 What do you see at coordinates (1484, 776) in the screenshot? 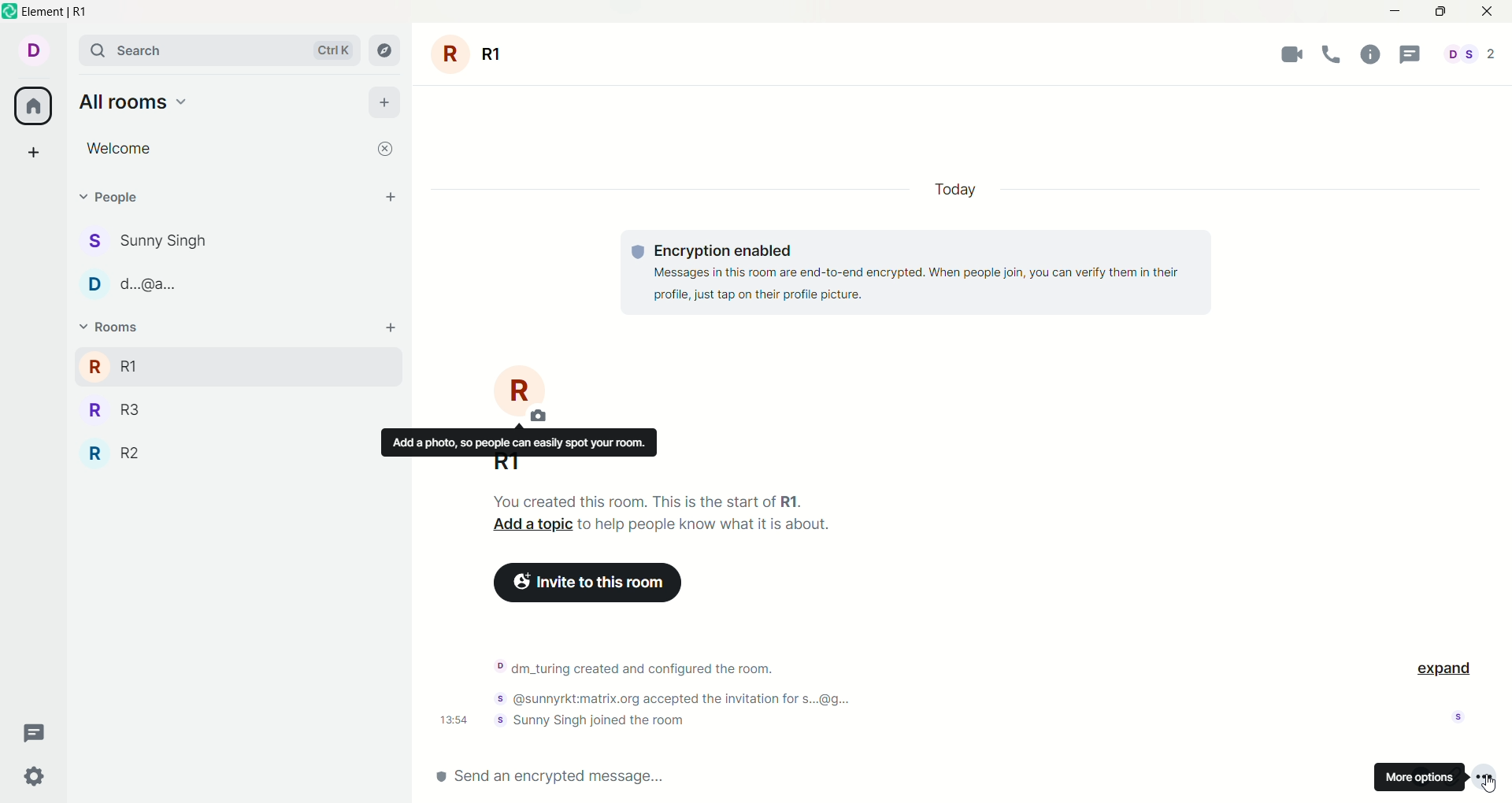
I see `More options` at bounding box center [1484, 776].